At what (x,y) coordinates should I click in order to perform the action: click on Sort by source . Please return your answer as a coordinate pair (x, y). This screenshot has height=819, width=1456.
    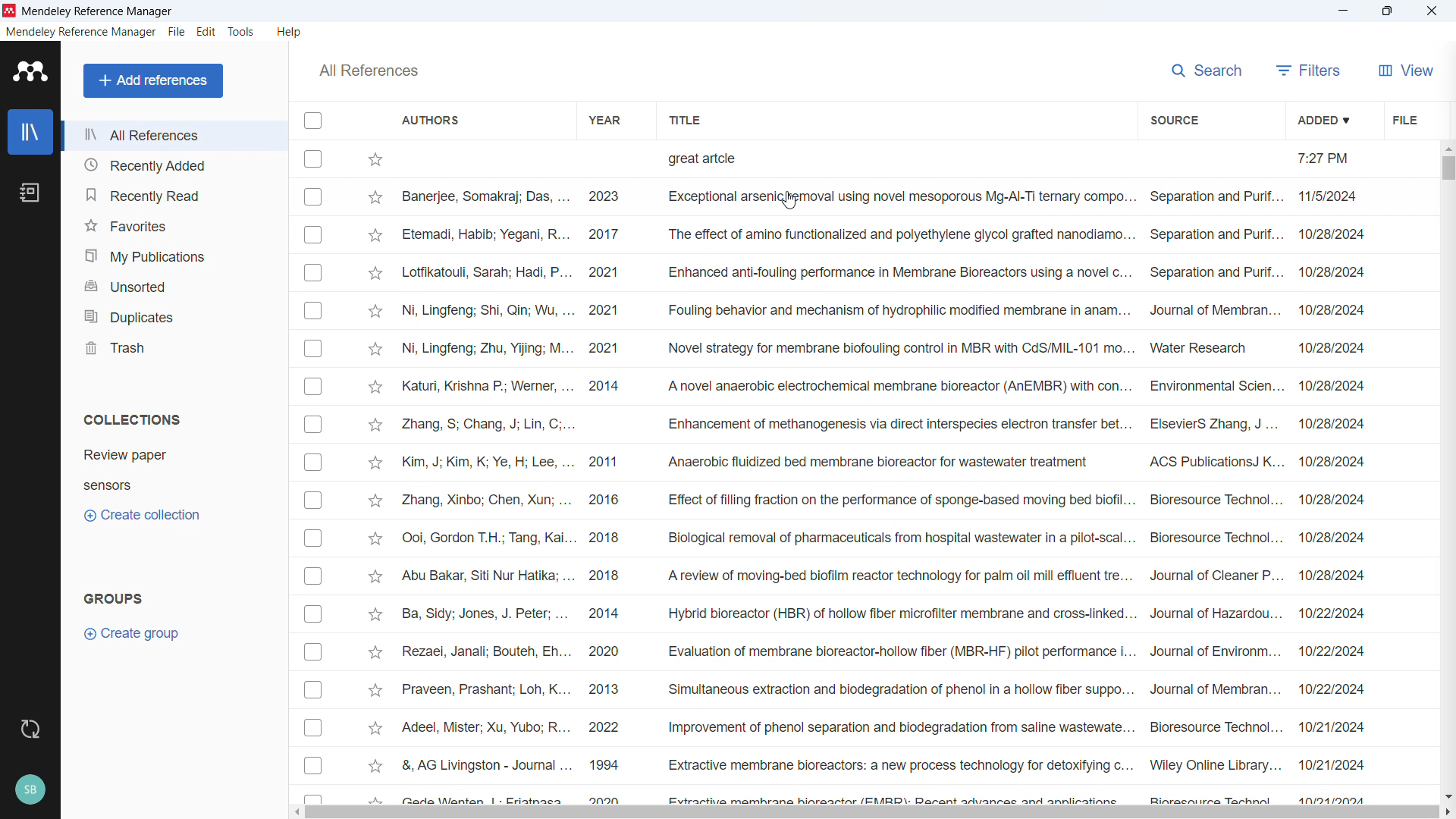
    Looking at the image, I should click on (1173, 121).